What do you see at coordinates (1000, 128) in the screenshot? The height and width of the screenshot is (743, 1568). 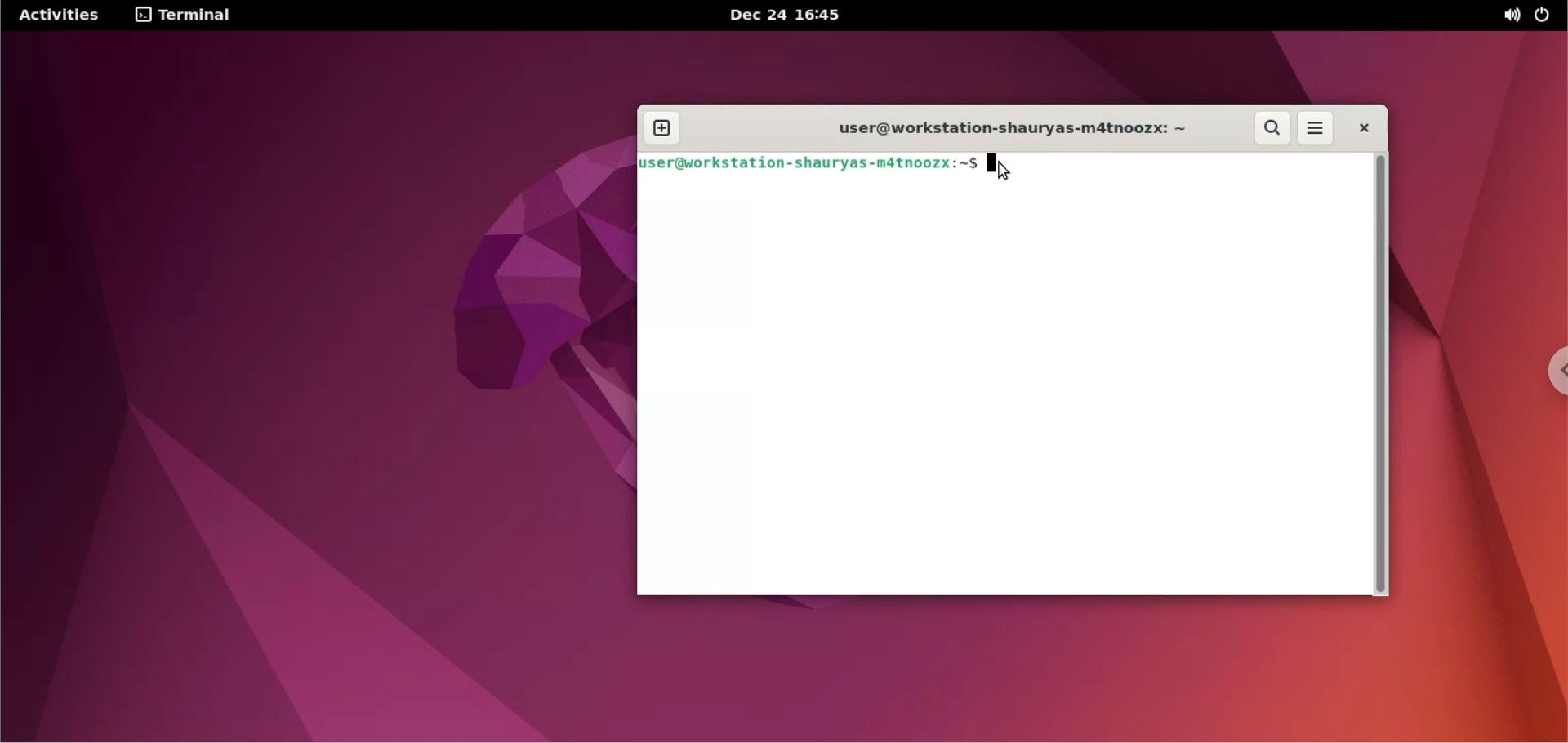 I see `user@workstation-shauyas-m4tnoozx: ~` at bounding box center [1000, 128].